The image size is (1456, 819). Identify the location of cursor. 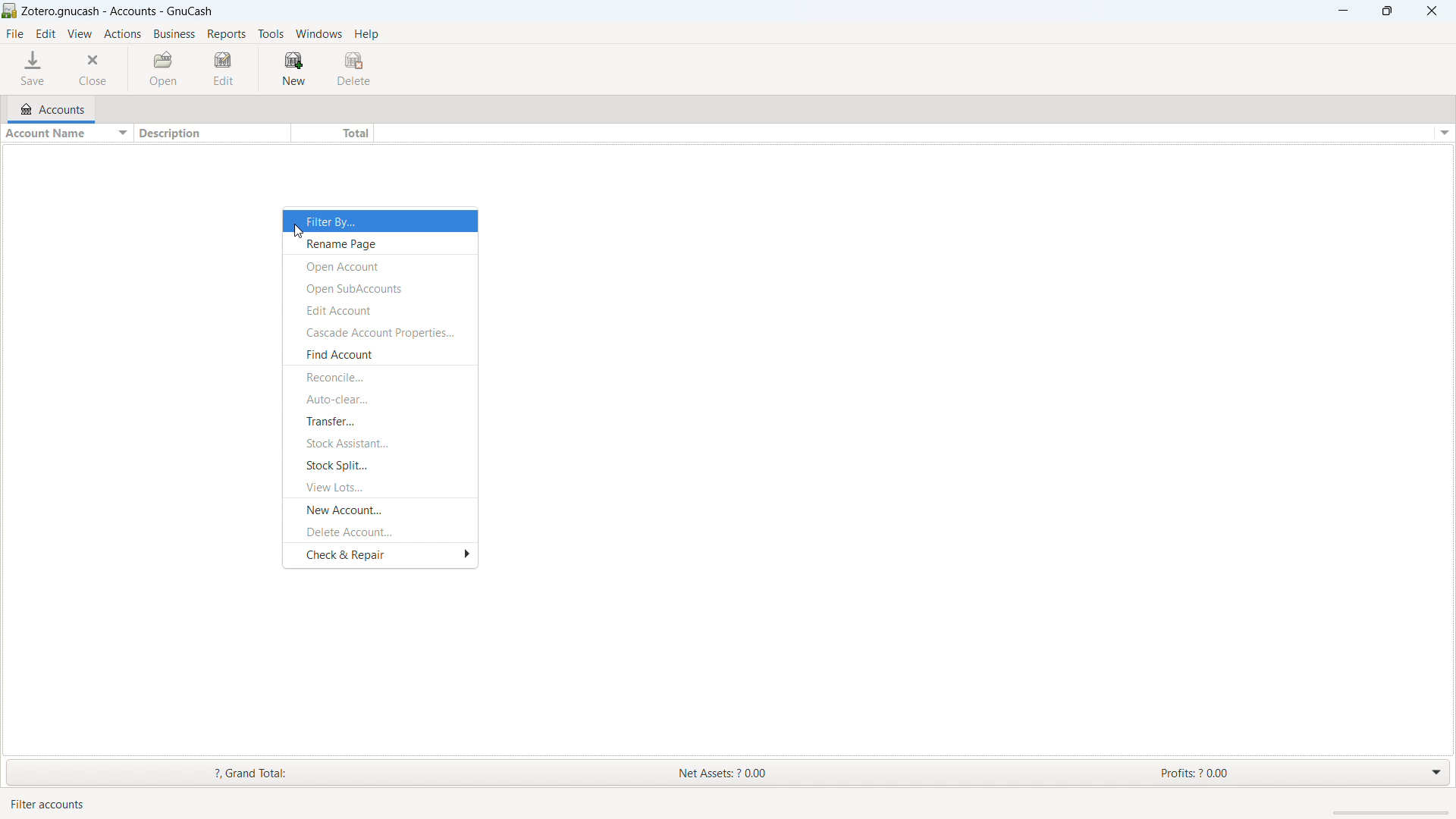
(299, 231).